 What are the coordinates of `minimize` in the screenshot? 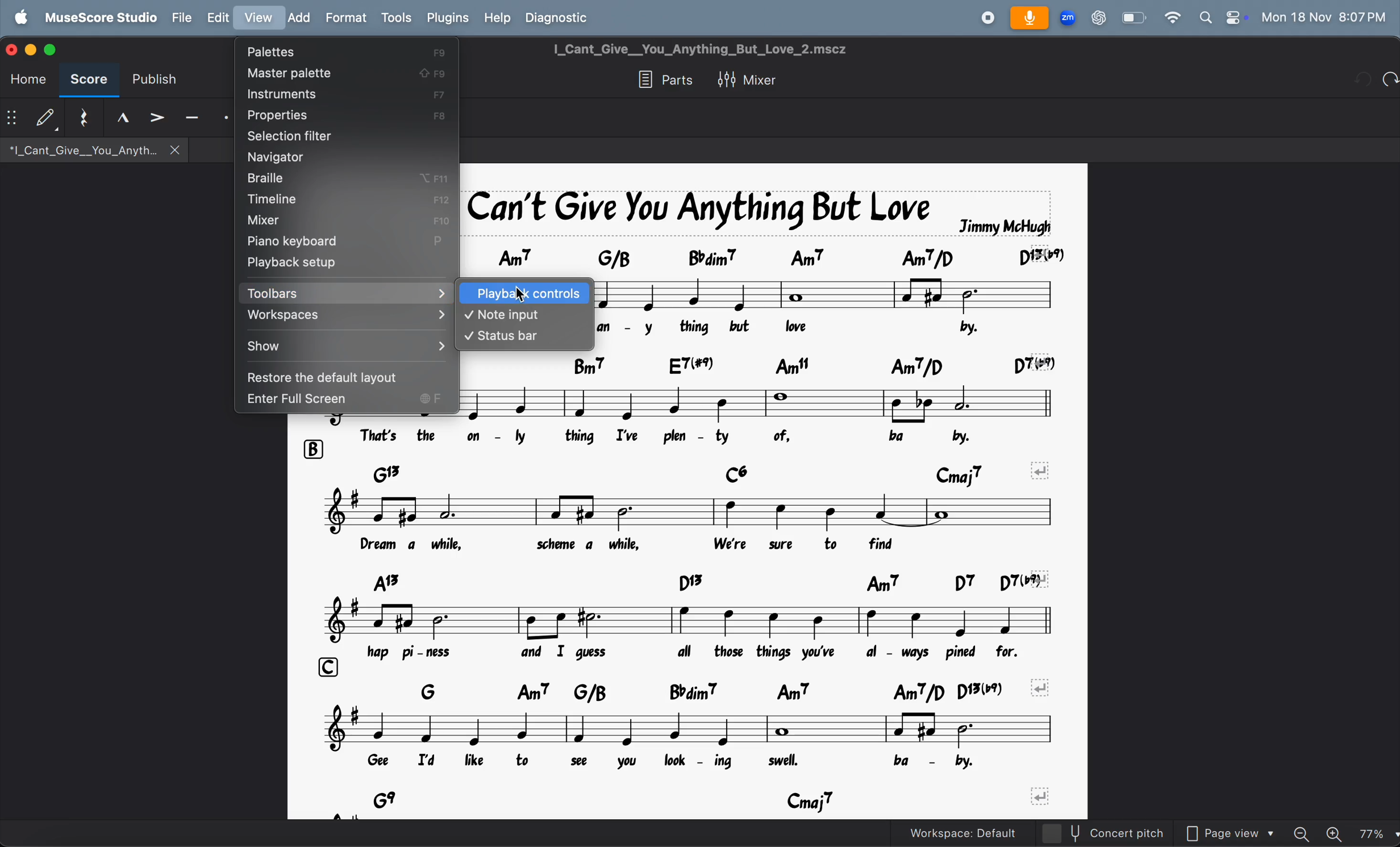 It's located at (33, 49).